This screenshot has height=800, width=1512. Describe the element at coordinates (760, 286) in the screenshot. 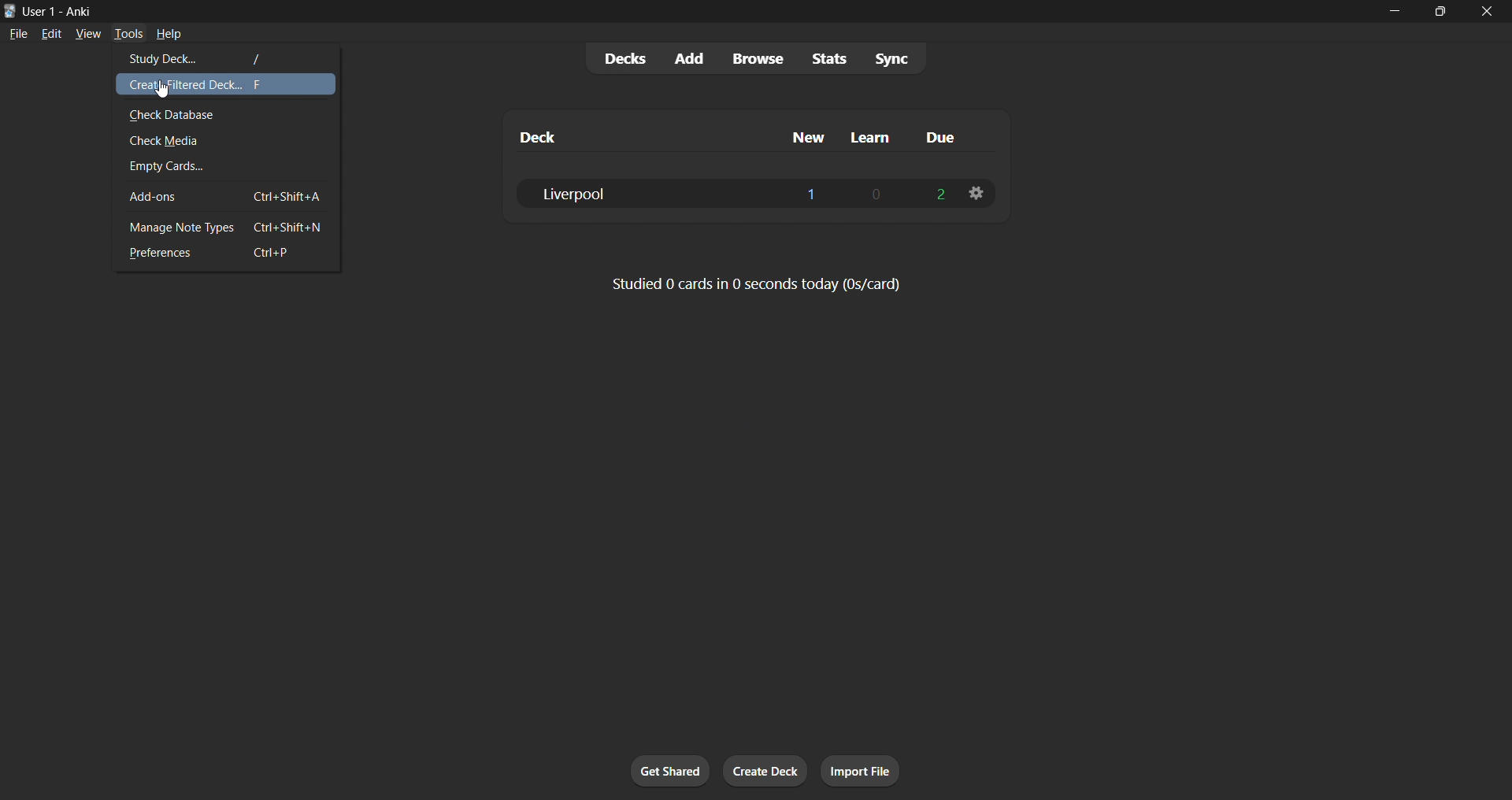

I see `Studied 0 cards in 0 seconds today (0s/card)` at that location.